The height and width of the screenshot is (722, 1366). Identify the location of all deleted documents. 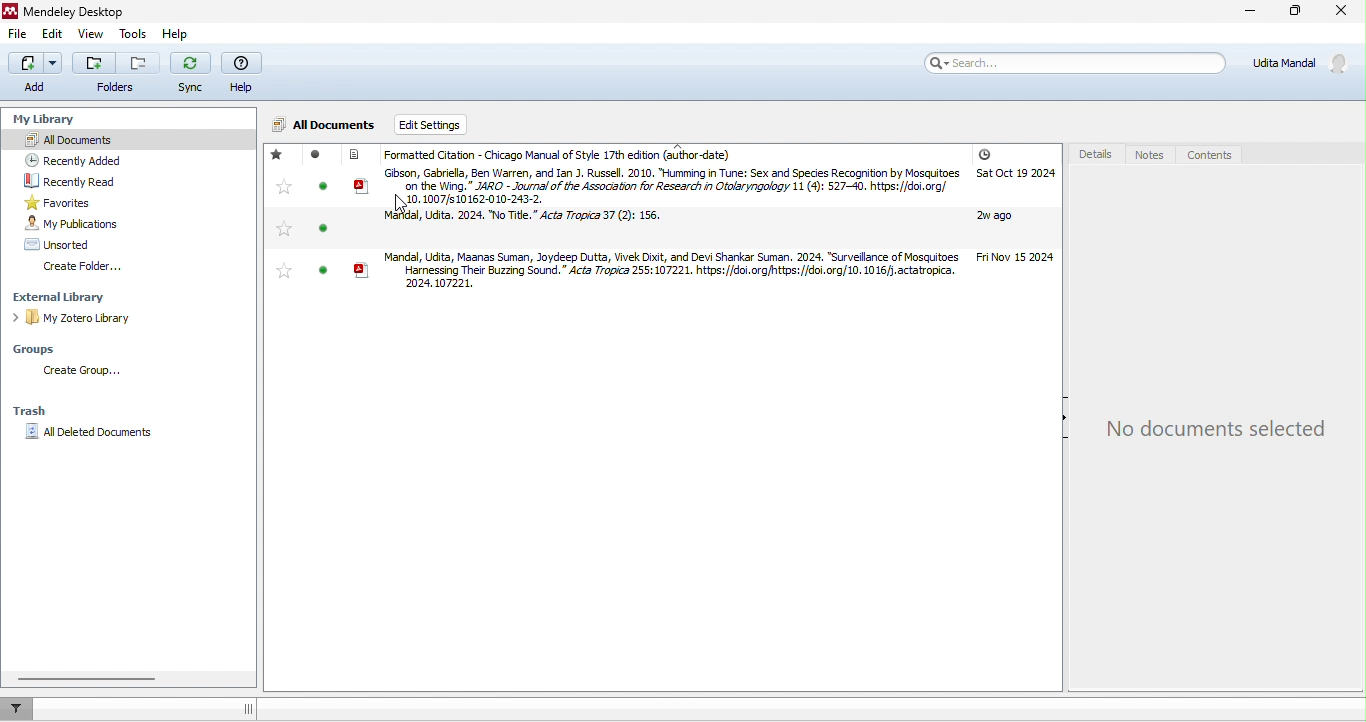
(93, 437).